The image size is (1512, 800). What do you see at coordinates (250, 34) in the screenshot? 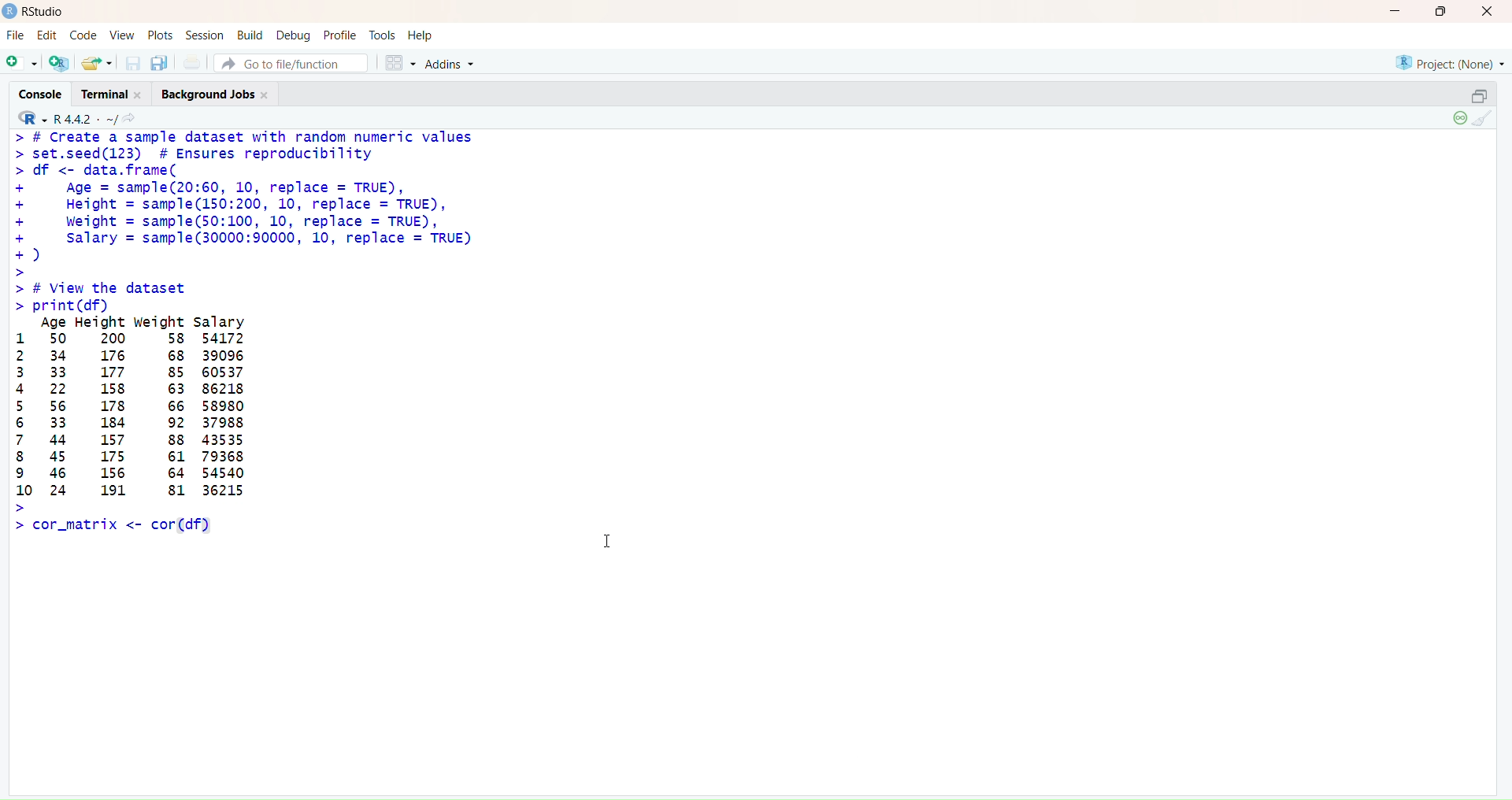
I see `Build` at bounding box center [250, 34].